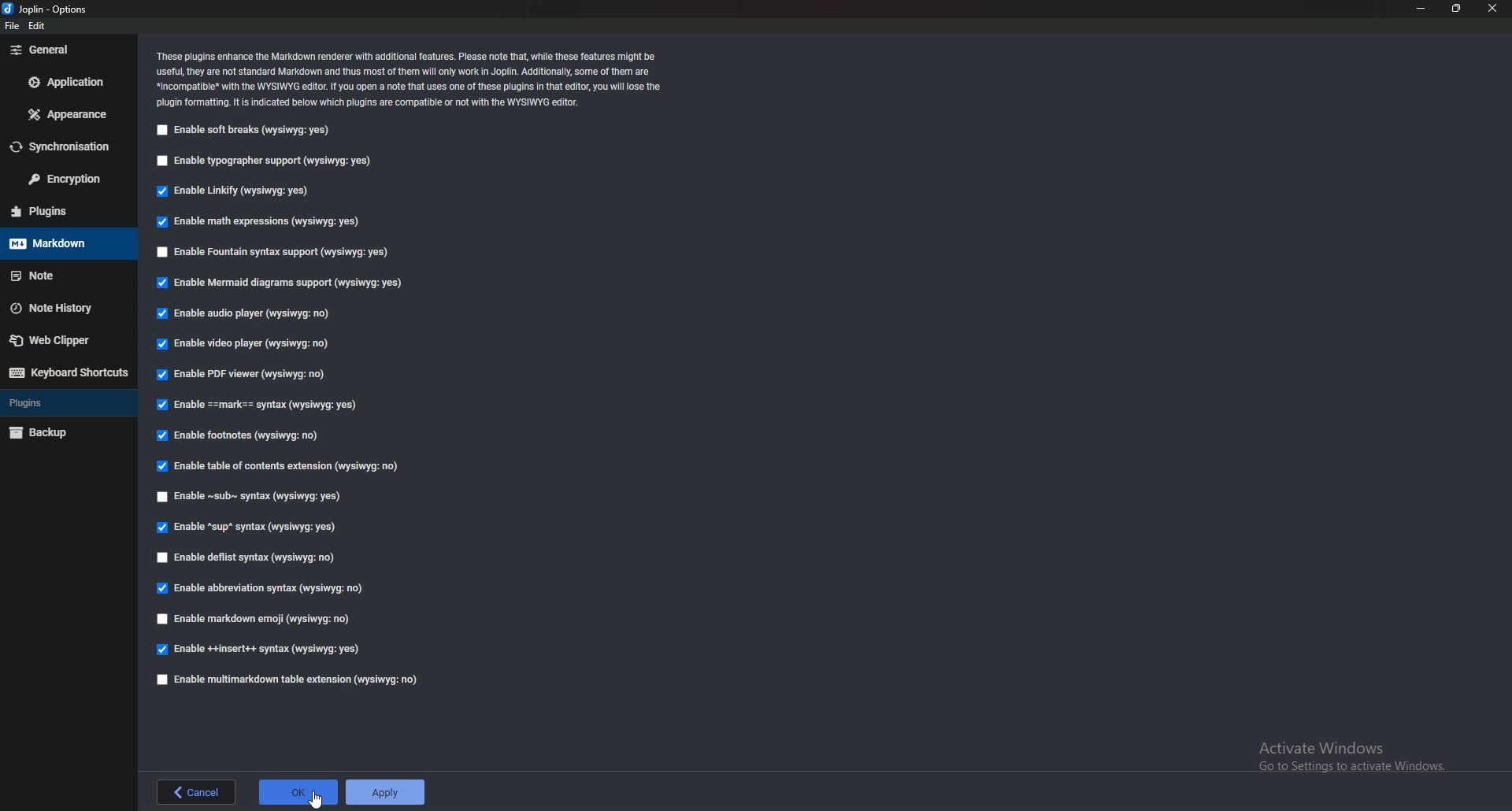 This screenshot has height=811, width=1512. Describe the element at coordinates (46, 9) in the screenshot. I see `Joplin-Options` at that location.